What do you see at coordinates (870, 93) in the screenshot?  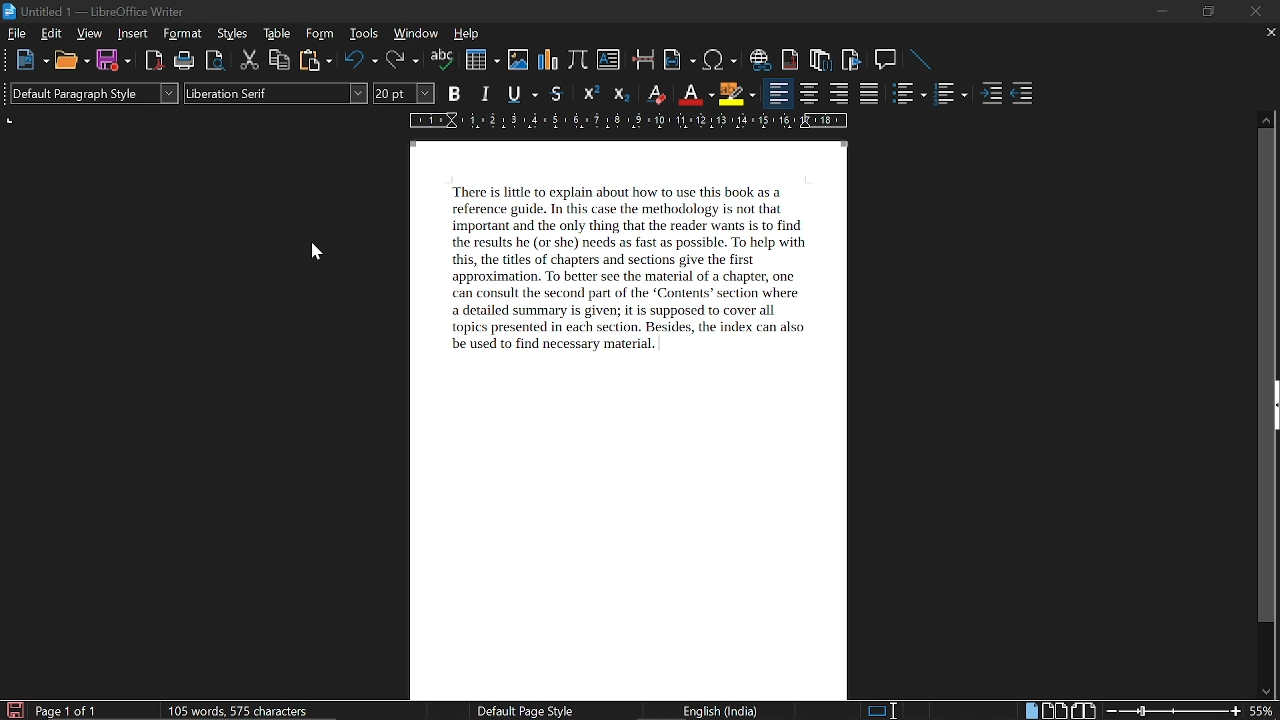 I see `justified` at bounding box center [870, 93].